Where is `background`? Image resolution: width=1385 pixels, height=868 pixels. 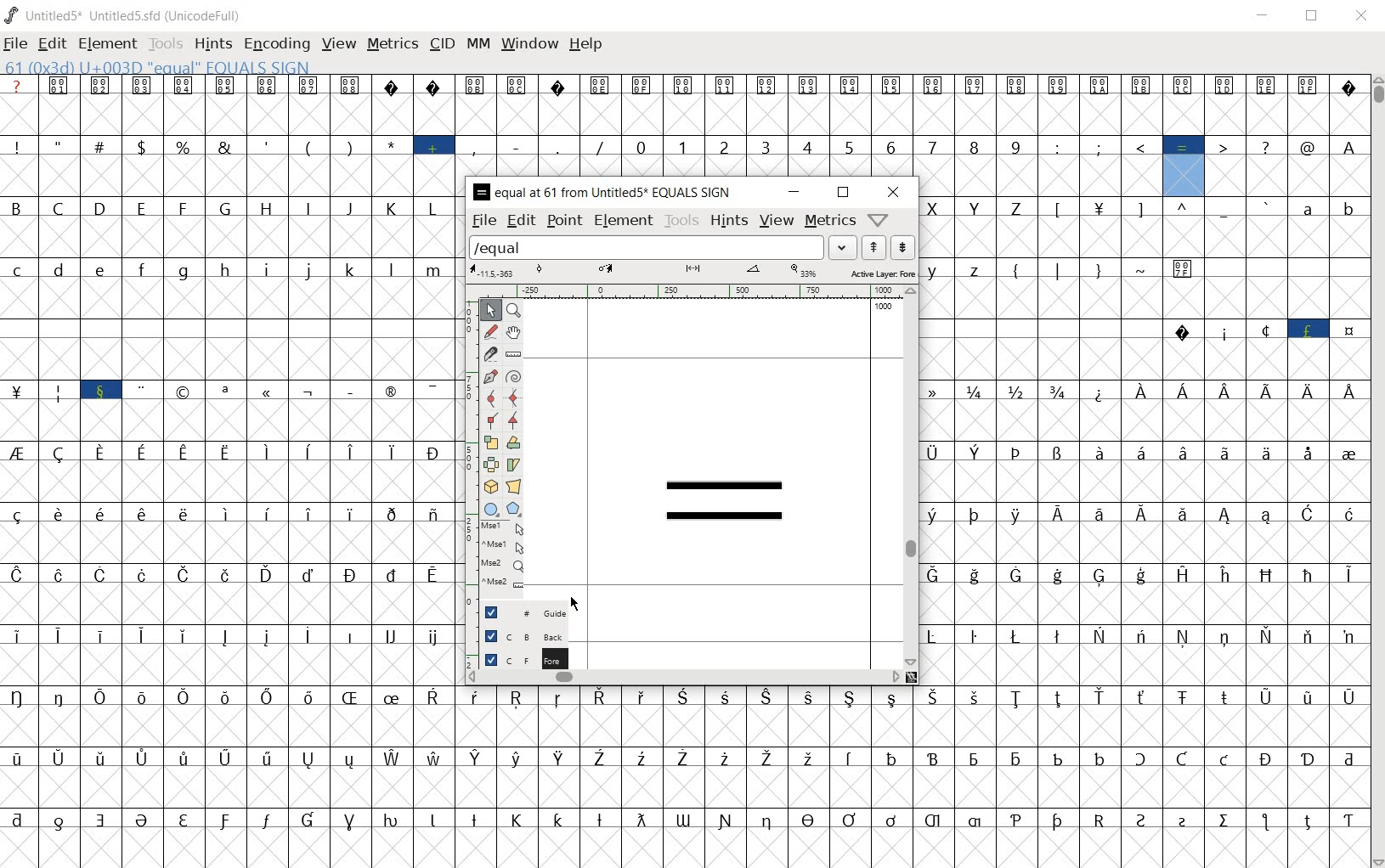 background is located at coordinates (523, 635).